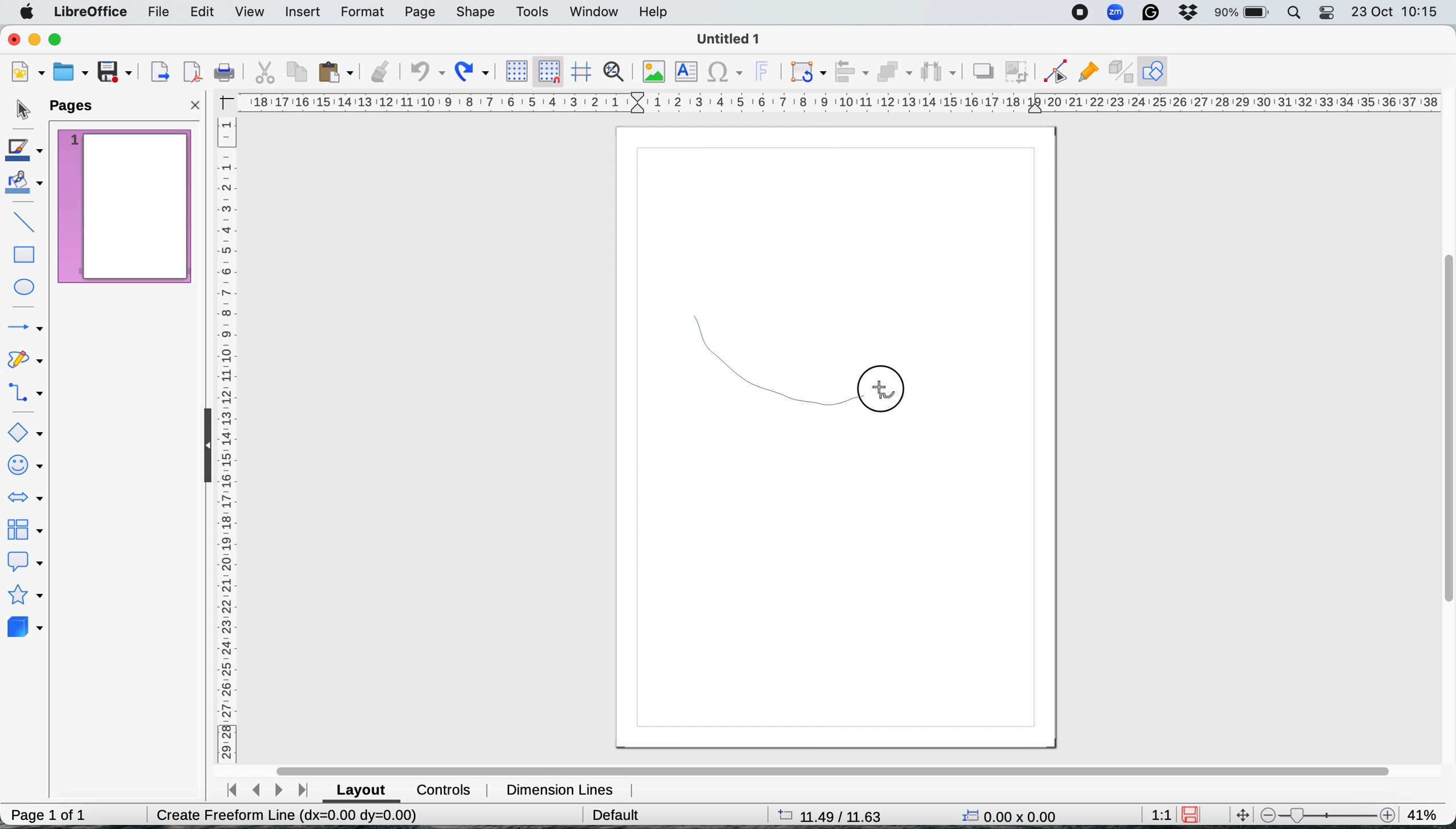 This screenshot has width=1456, height=829. What do you see at coordinates (196, 106) in the screenshot?
I see `close` at bounding box center [196, 106].